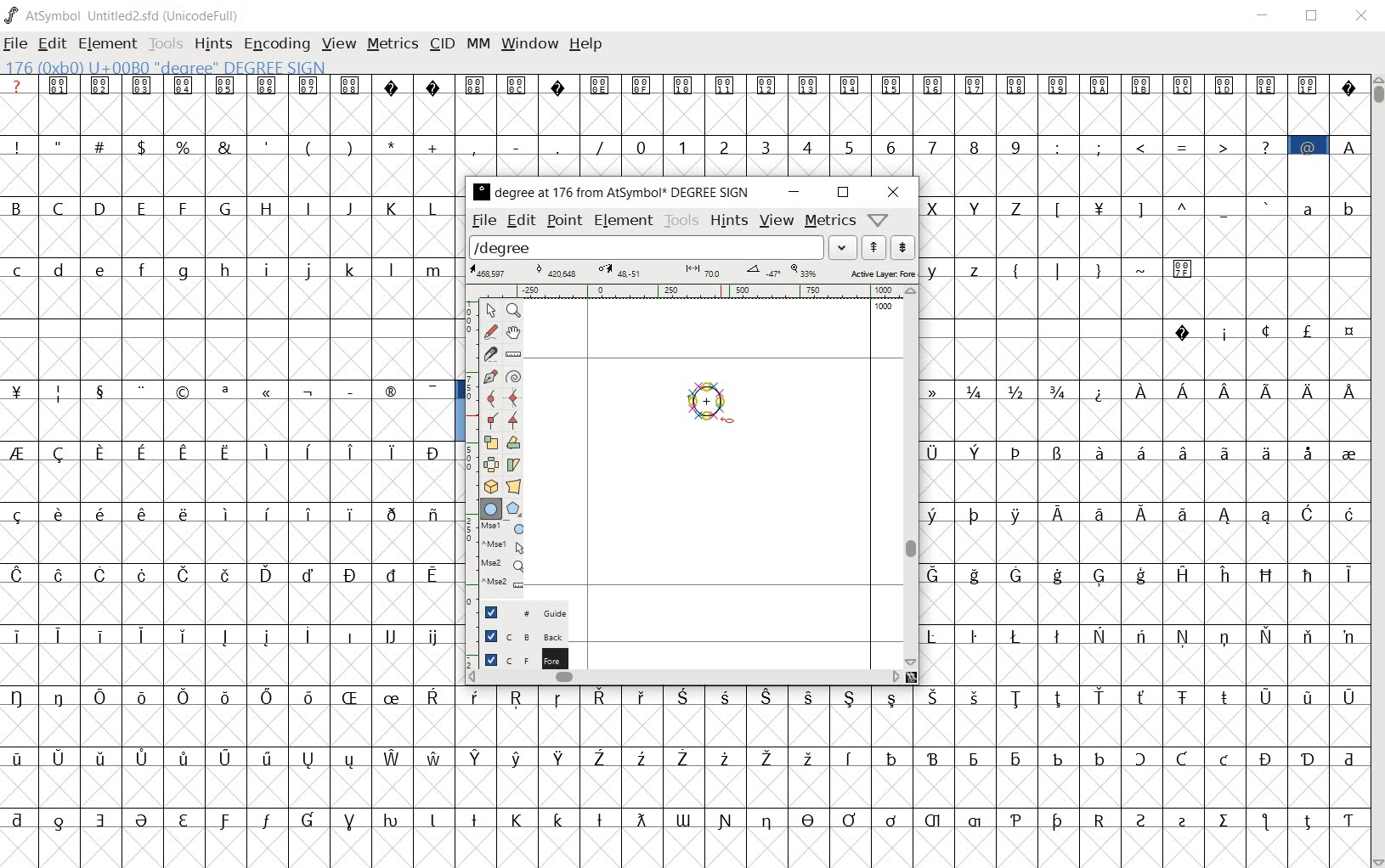 Image resolution: width=1385 pixels, height=868 pixels. Describe the element at coordinates (1146, 605) in the screenshot. I see `empty glyph slots` at that location.